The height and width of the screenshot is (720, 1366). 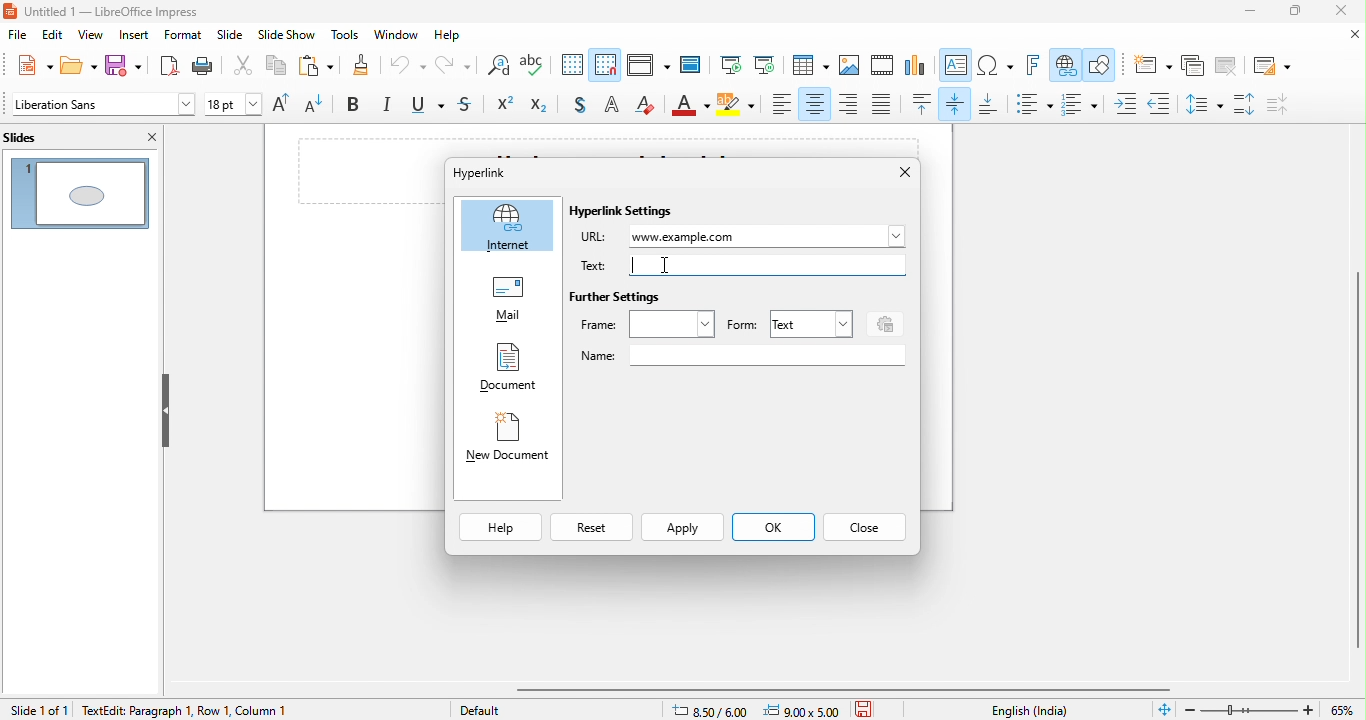 I want to click on undo, so click(x=408, y=69).